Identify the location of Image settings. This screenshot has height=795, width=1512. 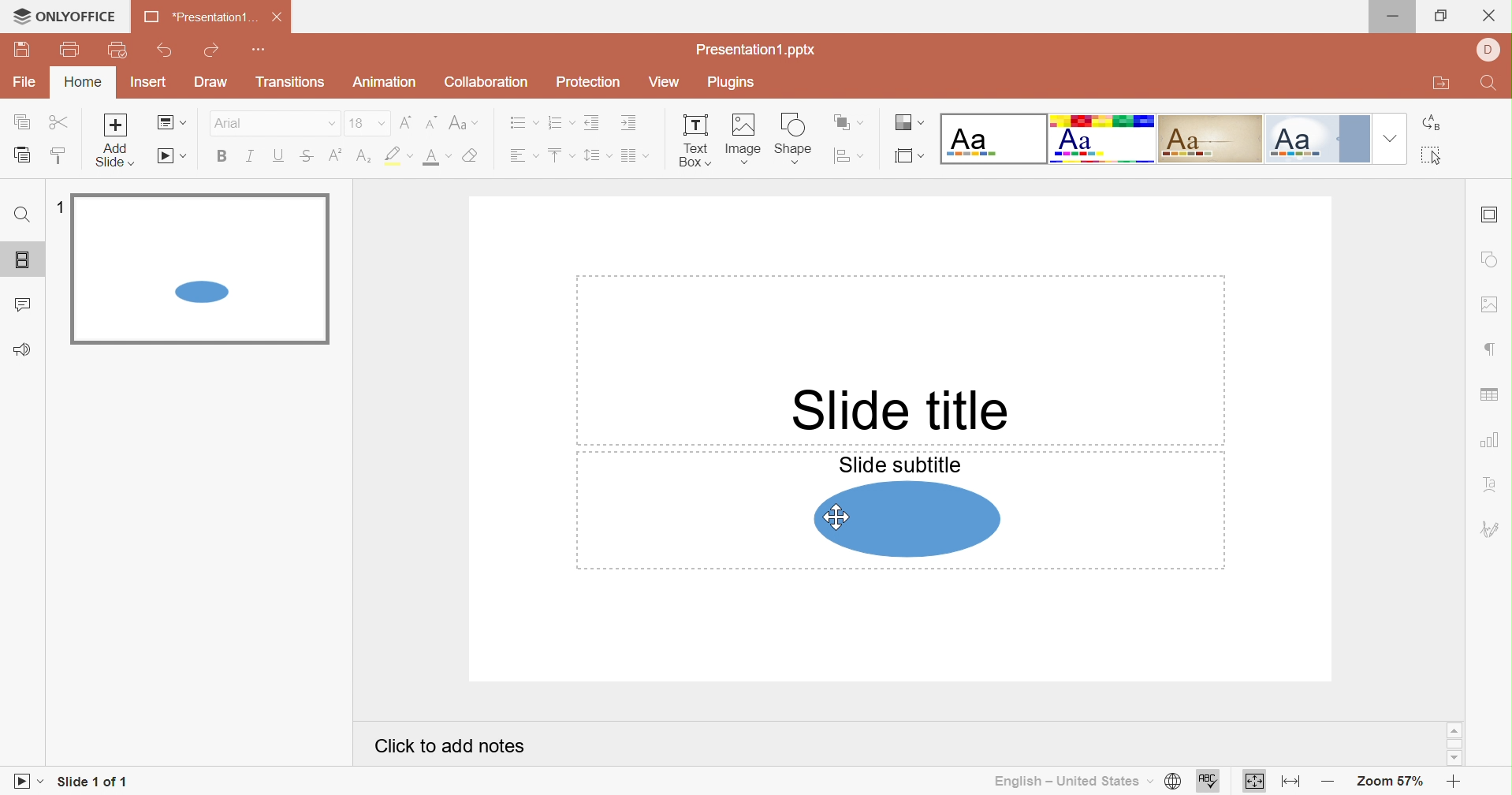
(1492, 305).